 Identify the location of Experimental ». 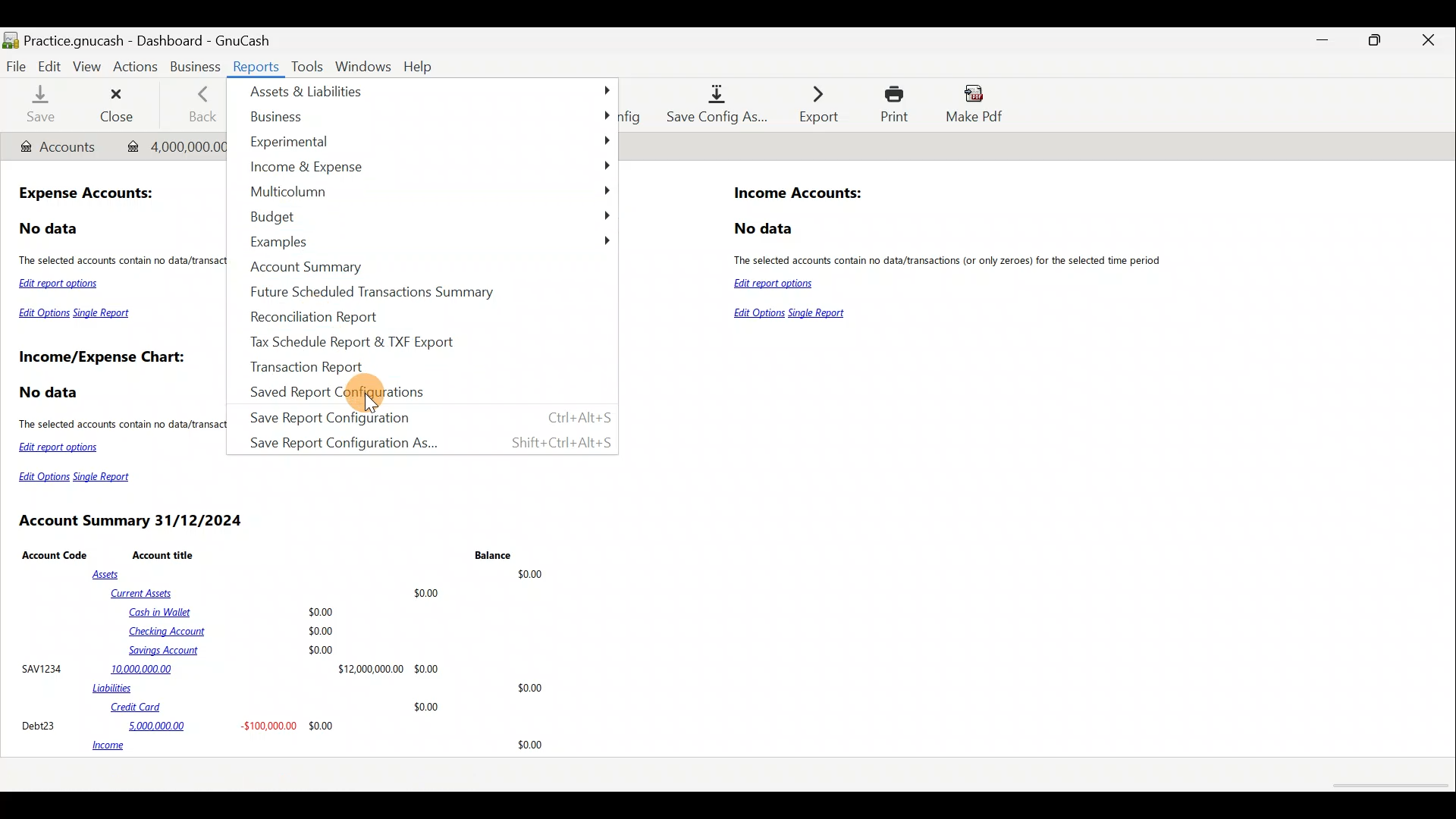
(432, 142).